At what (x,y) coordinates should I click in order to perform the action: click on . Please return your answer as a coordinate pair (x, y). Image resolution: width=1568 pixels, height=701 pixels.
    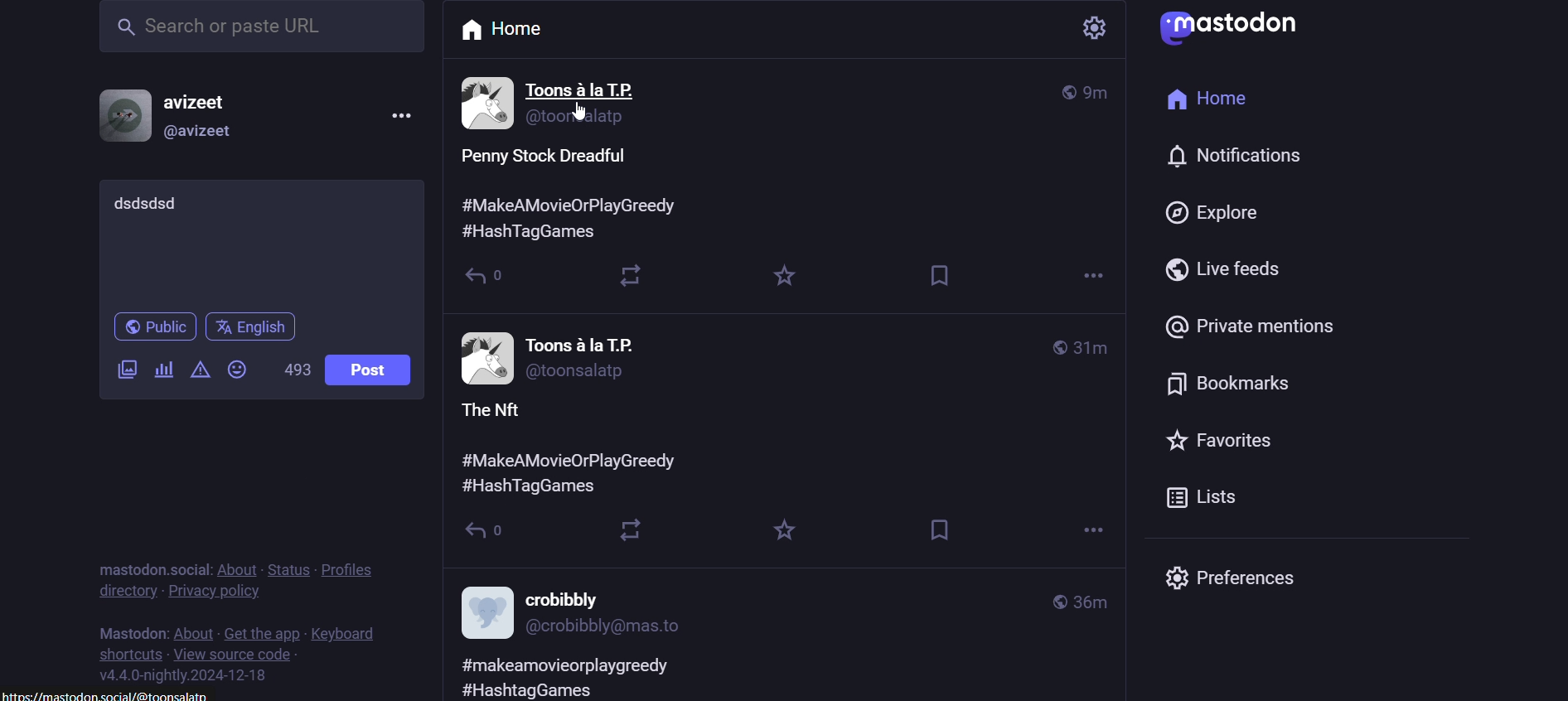
    Looking at the image, I should click on (1085, 602).